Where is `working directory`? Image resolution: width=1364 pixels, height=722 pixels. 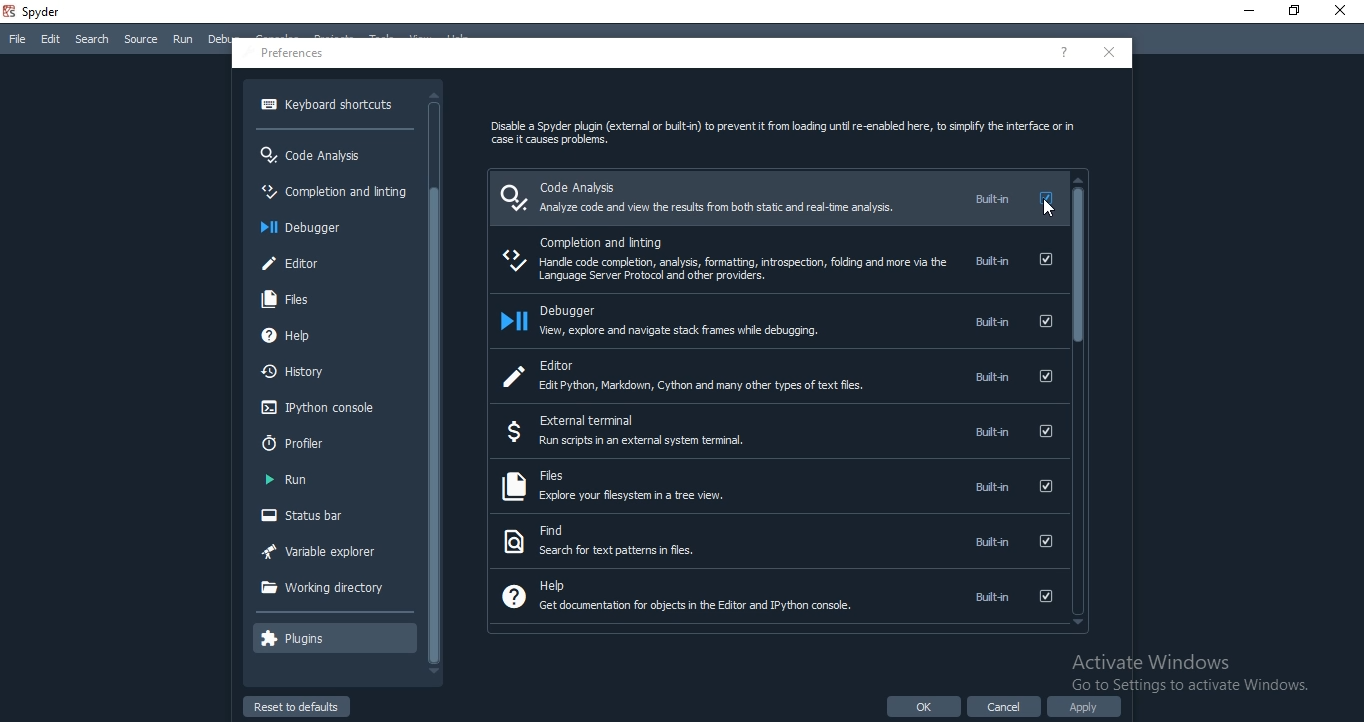
working directory is located at coordinates (331, 585).